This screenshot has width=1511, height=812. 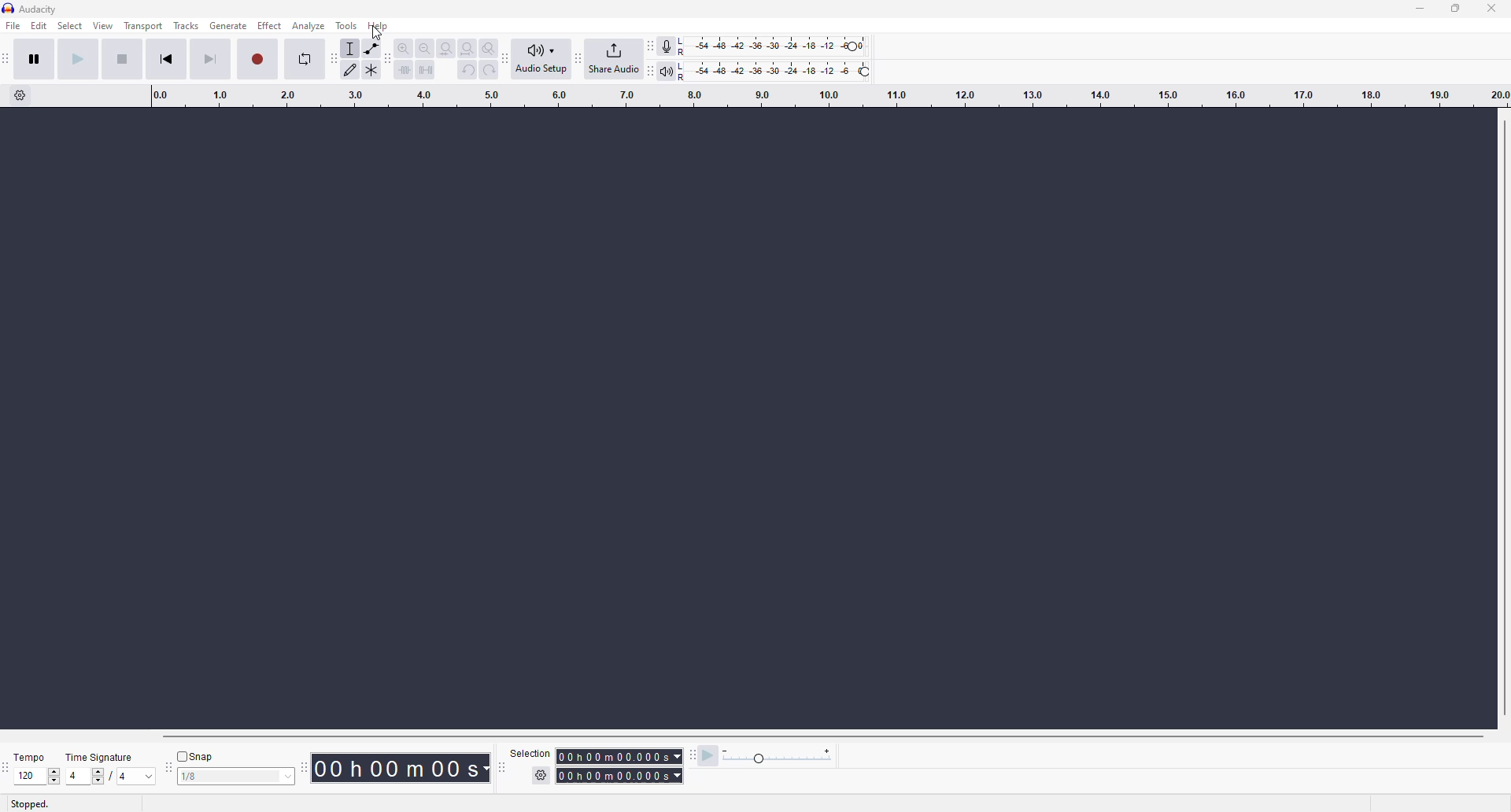 I want to click on snap, so click(x=198, y=755).